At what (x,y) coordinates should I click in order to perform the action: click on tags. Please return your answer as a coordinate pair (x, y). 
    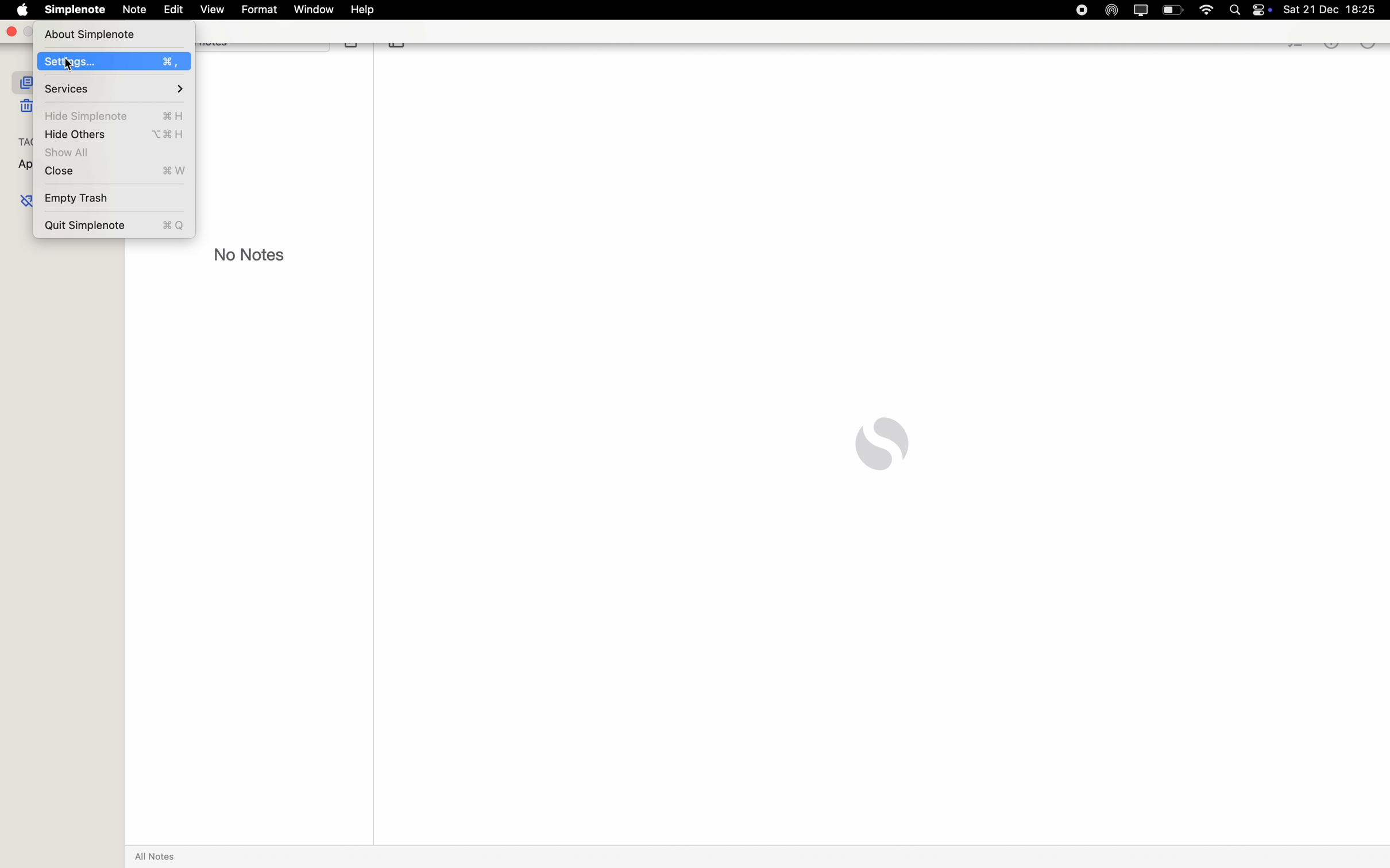
    Looking at the image, I should click on (22, 142).